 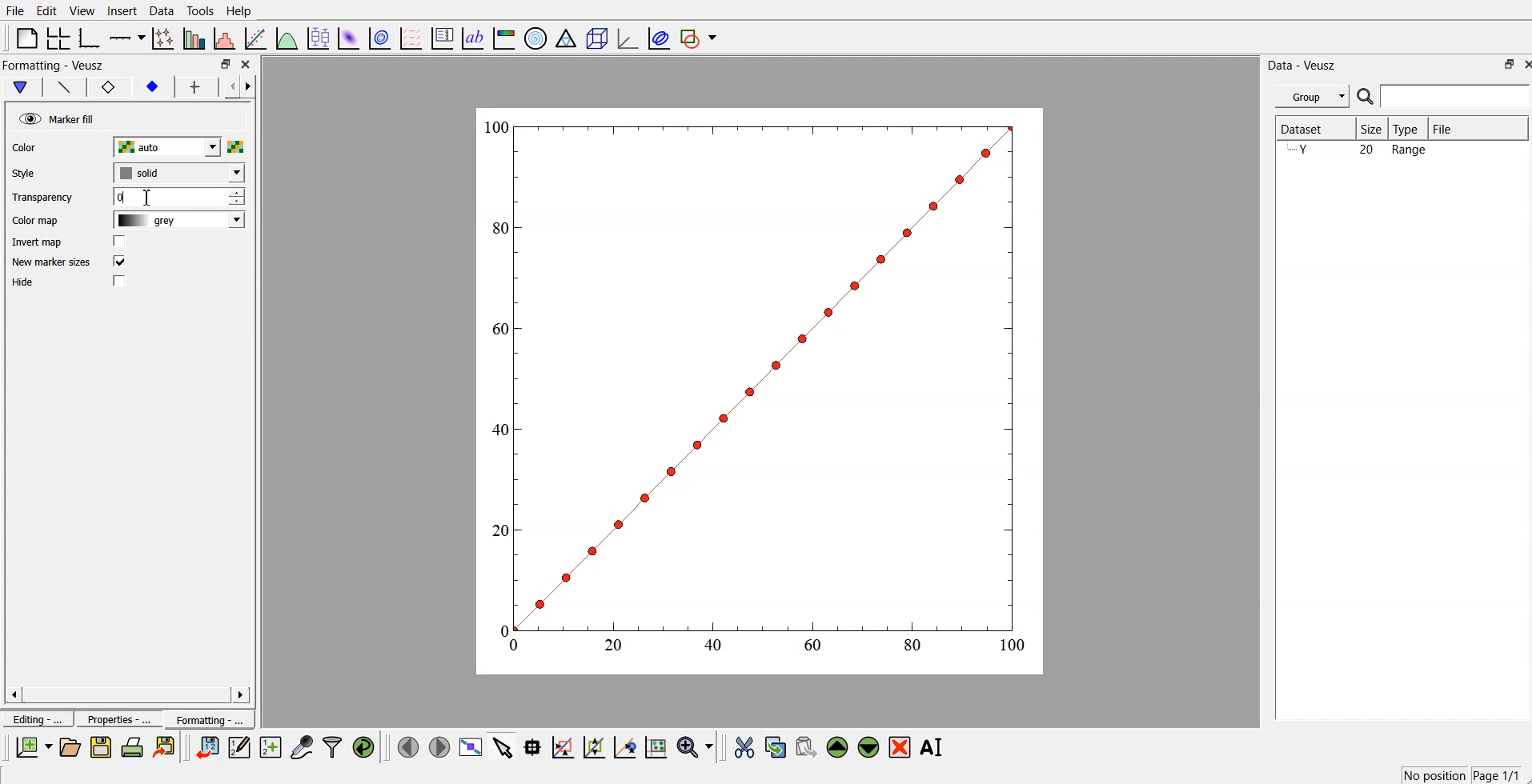 What do you see at coordinates (167, 748) in the screenshot?
I see `Export to graphics format` at bounding box center [167, 748].